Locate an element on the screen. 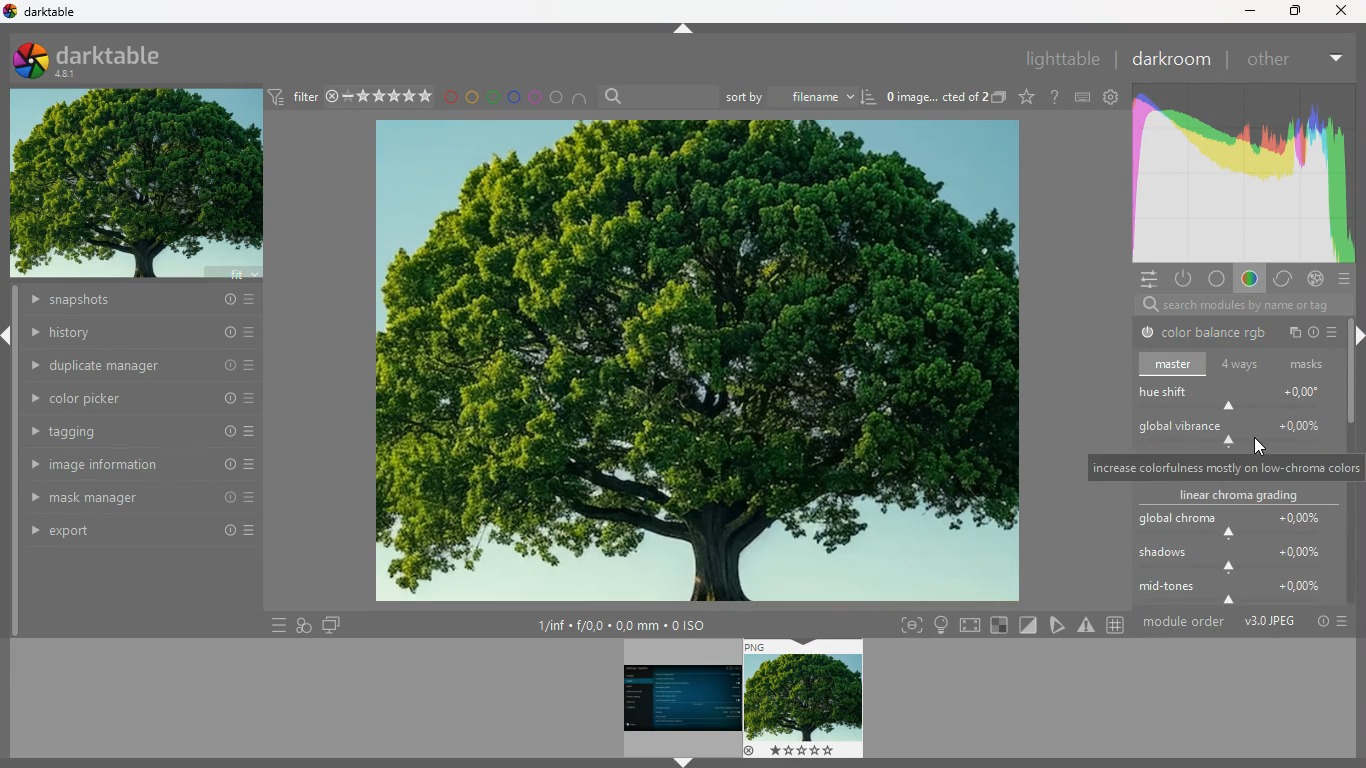 The width and height of the screenshot is (1366, 768). yellow is located at coordinates (473, 97).